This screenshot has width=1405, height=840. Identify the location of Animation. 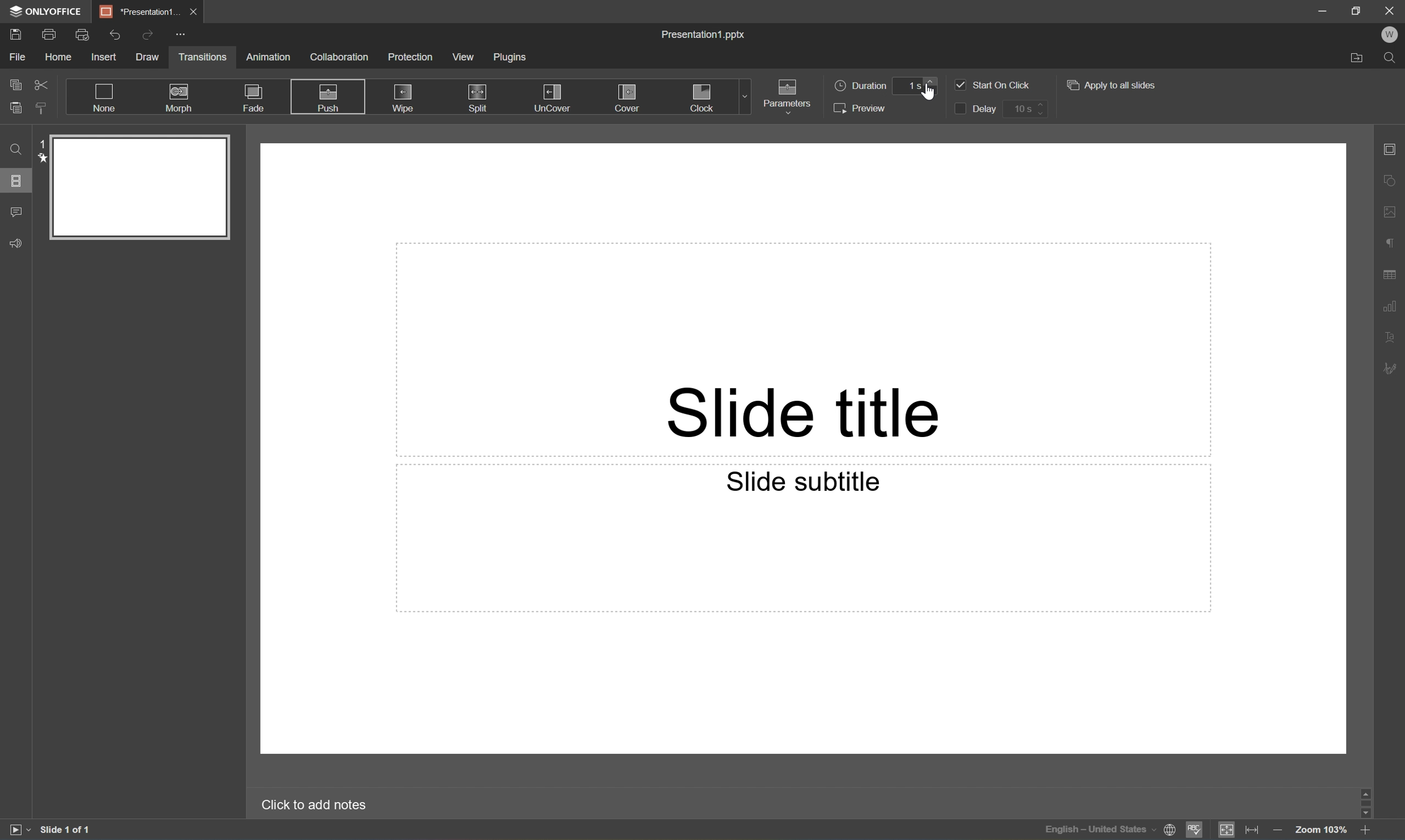
(268, 56).